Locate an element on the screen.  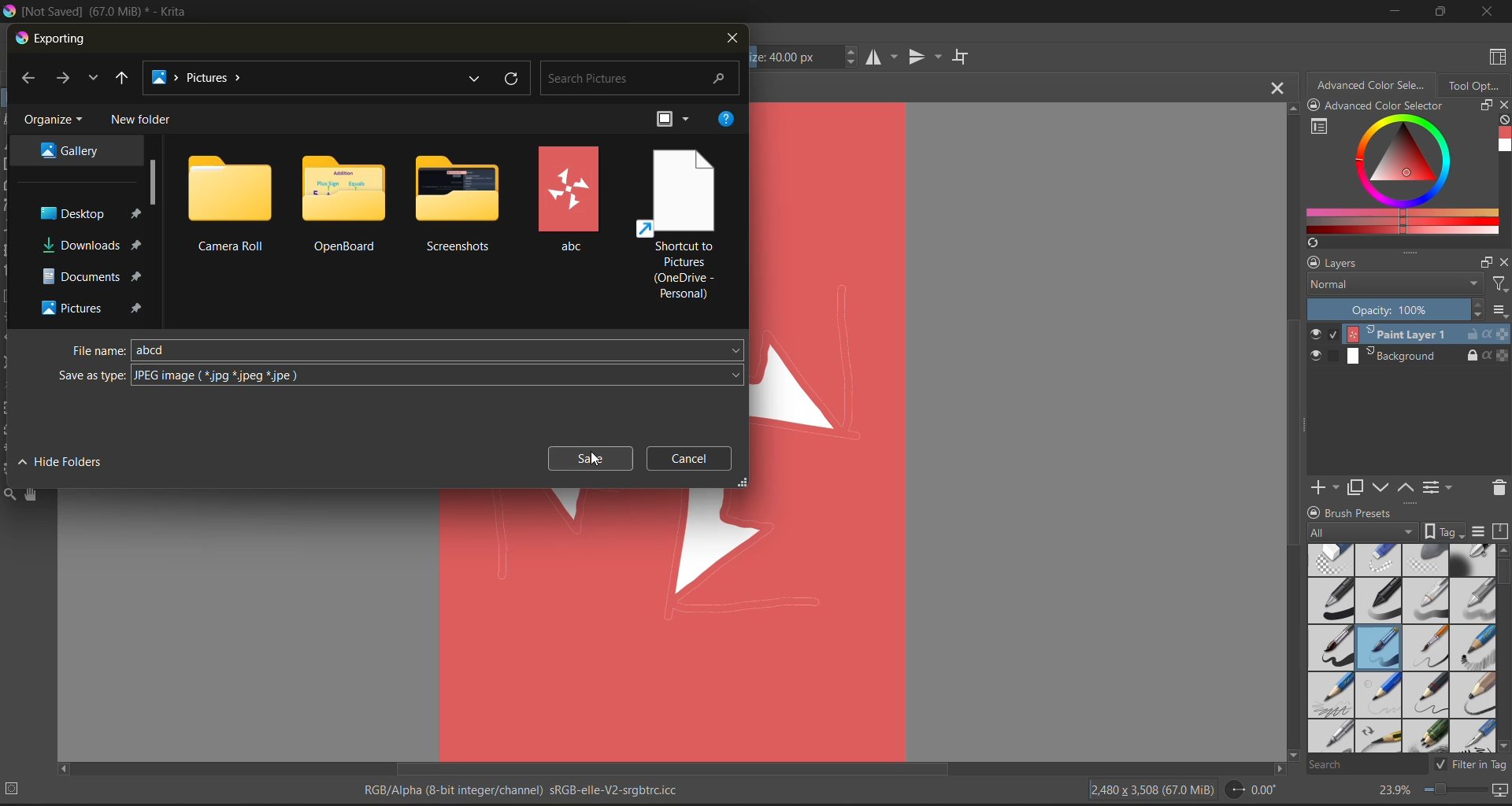
vertical mirror tool is located at coordinates (926, 57).